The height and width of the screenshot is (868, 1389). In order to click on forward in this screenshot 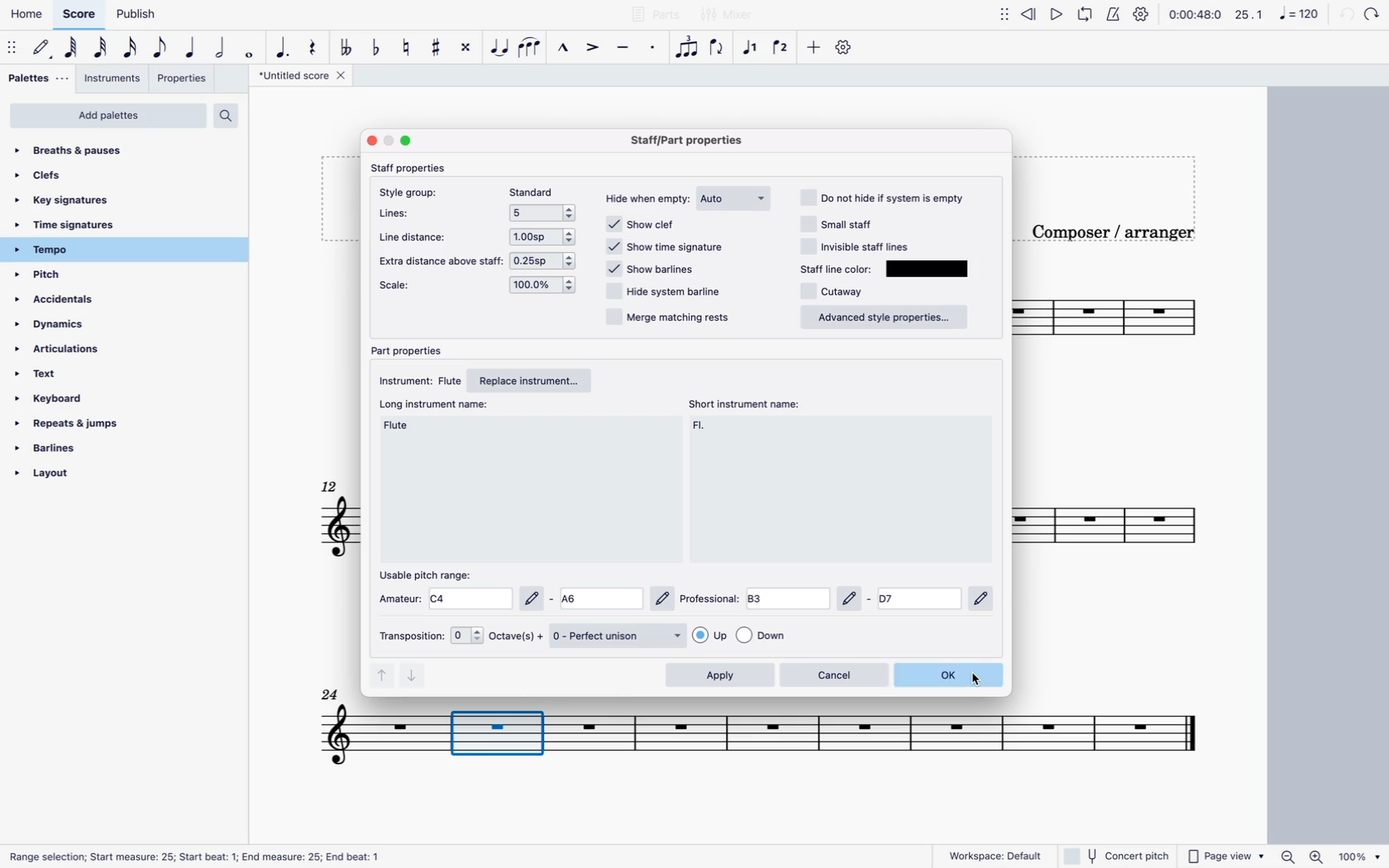, I will do `click(1372, 13)`.